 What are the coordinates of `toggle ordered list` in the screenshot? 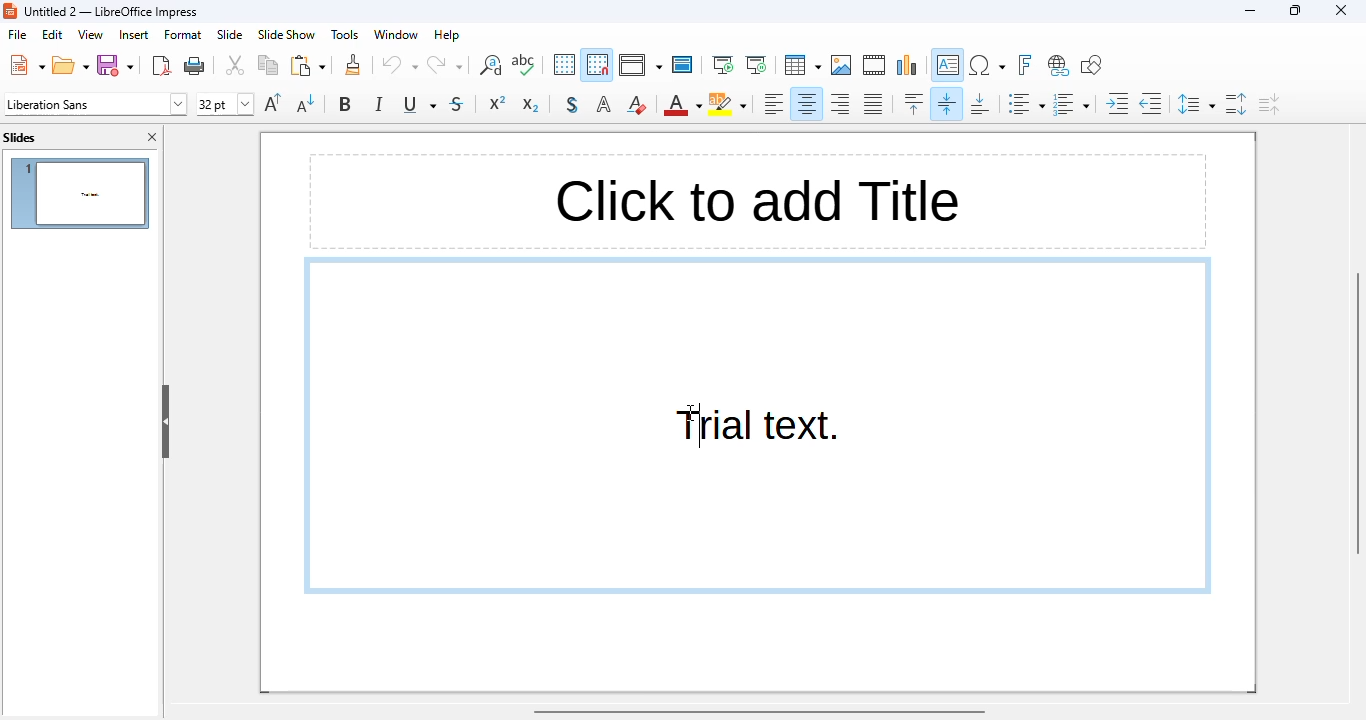 It's located at (1071, 104).